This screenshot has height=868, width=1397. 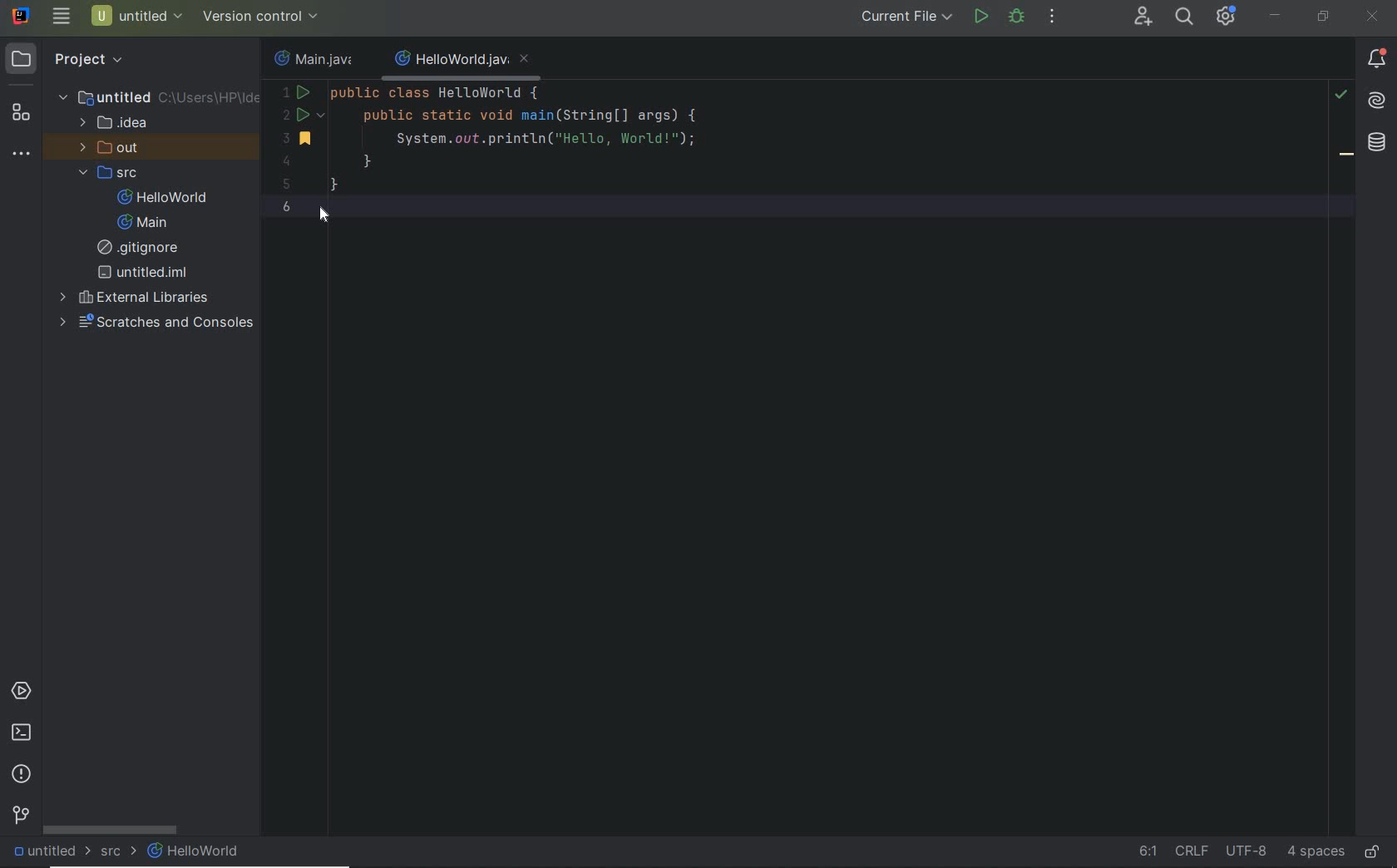 What do you see at coordinates (1375, 18) in the screenshot?
I see `close` at bounding box center [1375, 18].